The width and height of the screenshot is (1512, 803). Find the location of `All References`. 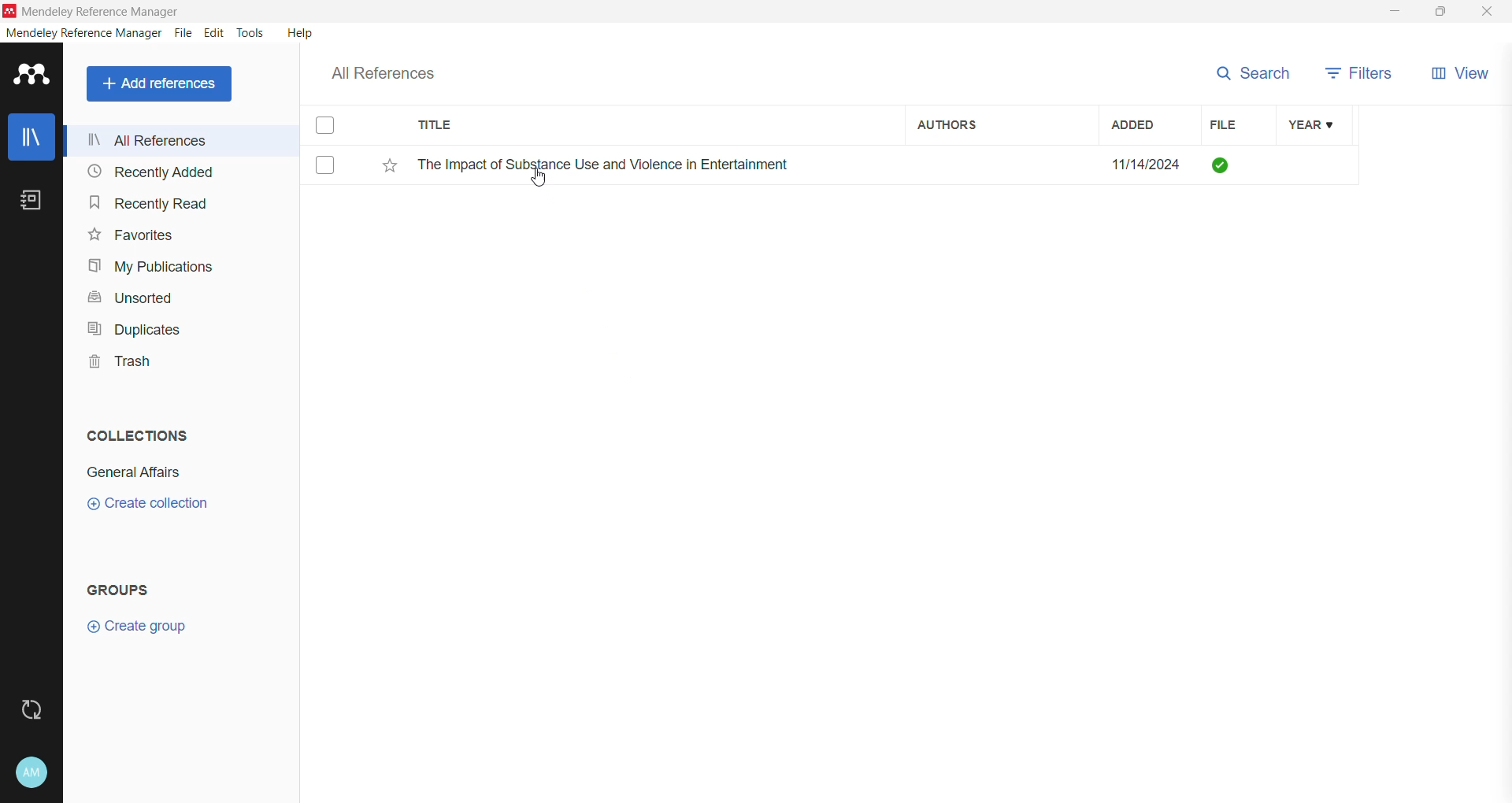

All References is located at coordinates (394, 69).